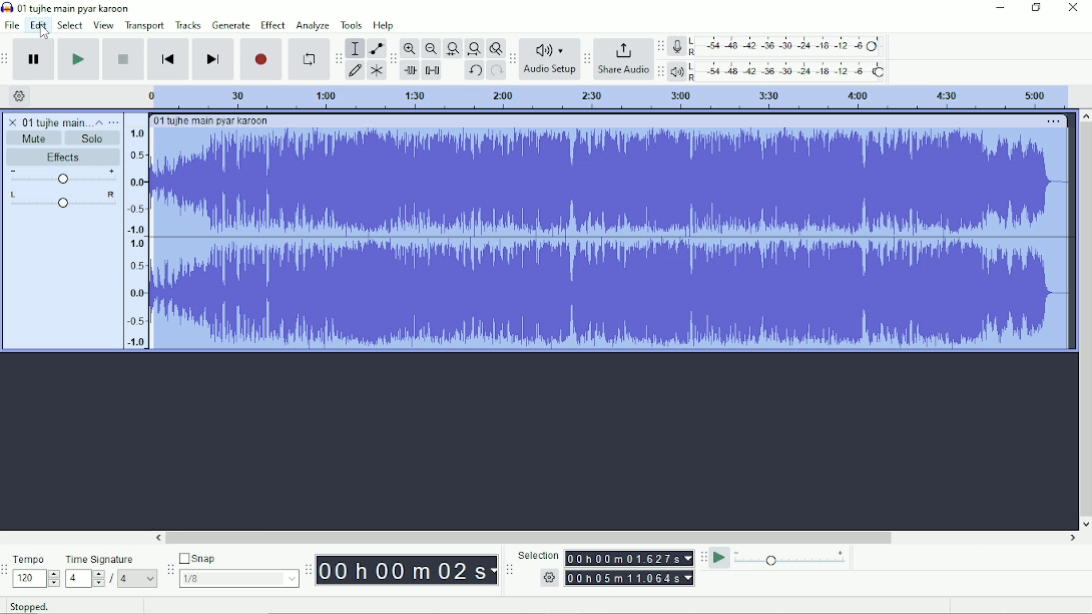 The height and width of the screenshot is (614, 1092). I want to click on Timeline options, so click(18, 96).